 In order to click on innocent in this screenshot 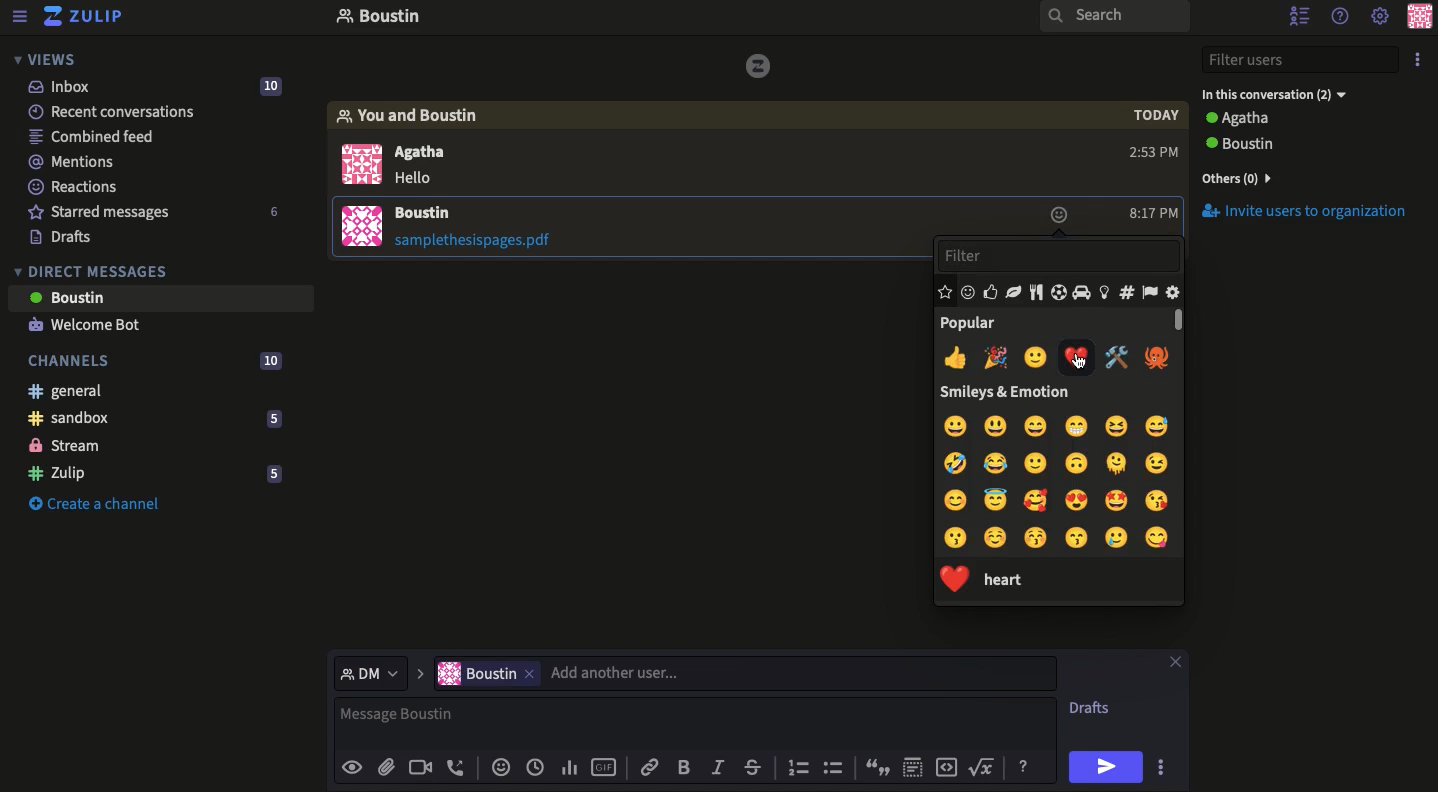, I will do `click(994, 497)`.